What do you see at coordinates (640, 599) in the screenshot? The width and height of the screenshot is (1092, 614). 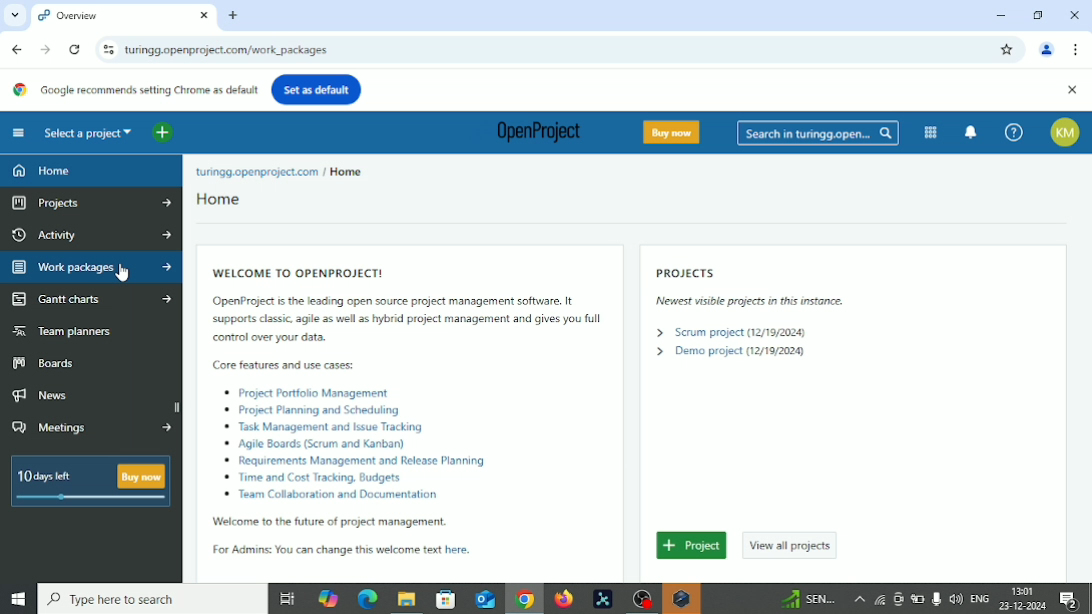 I see `OBS Studio` at bounding box center [640, 599].